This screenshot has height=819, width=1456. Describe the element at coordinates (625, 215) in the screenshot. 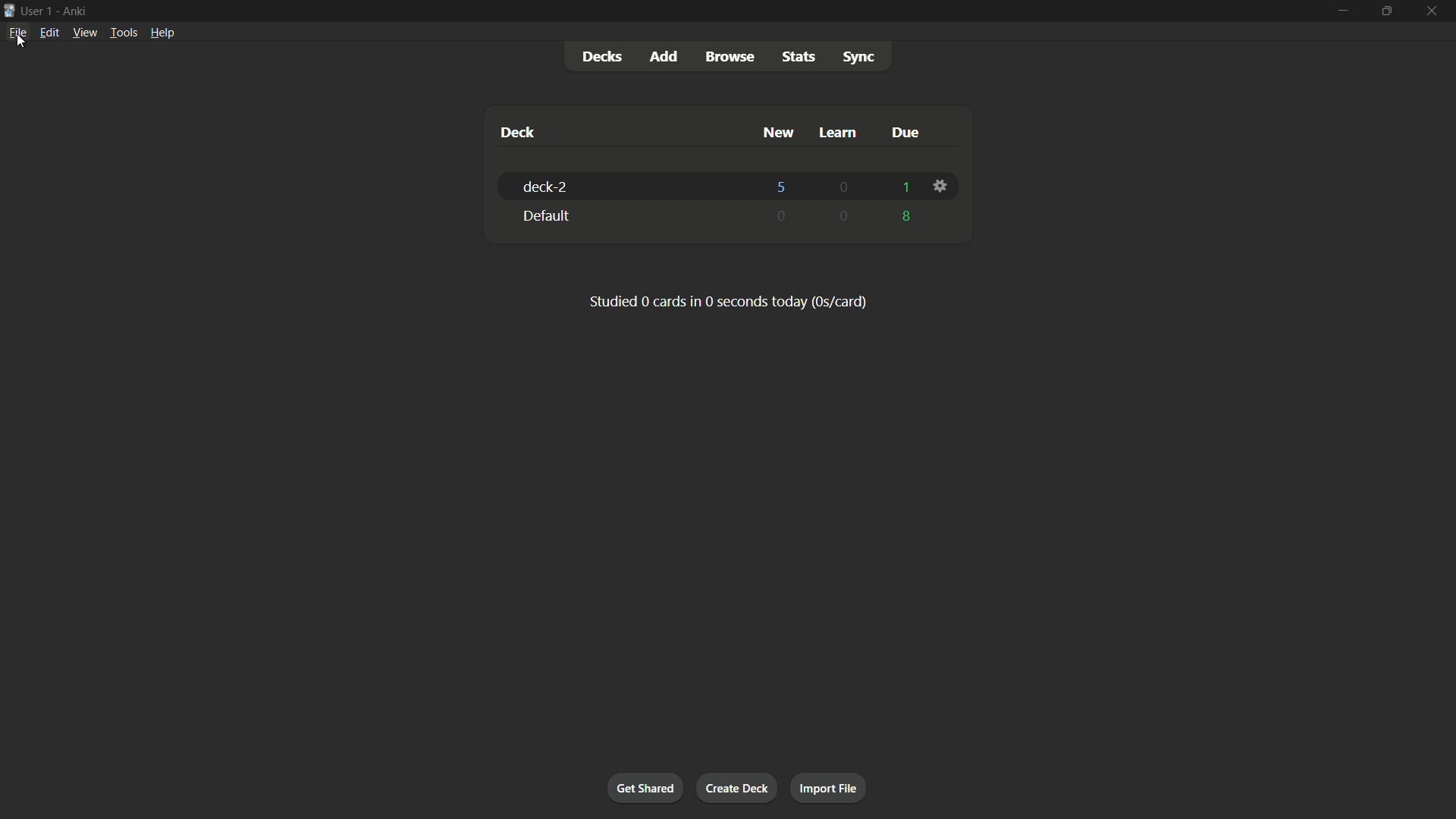

I see `Default` at that location.